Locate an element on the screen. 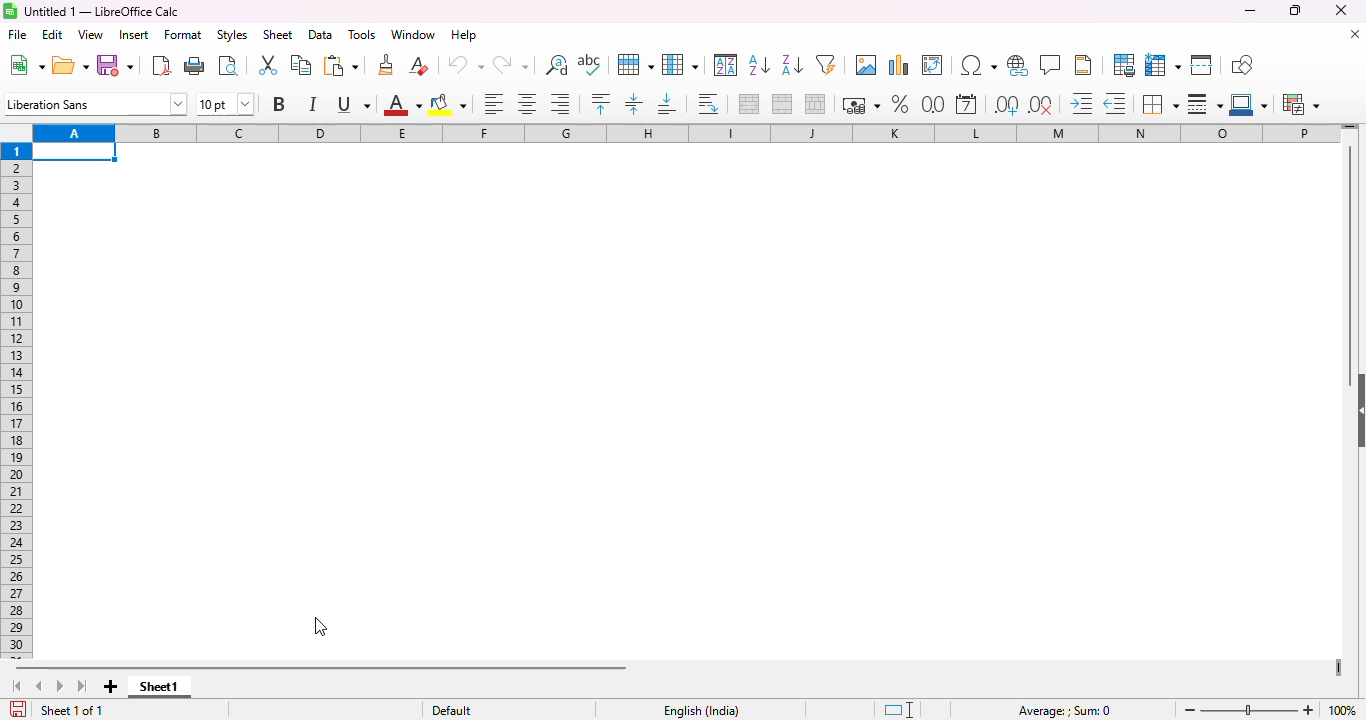 The height and width of the screenshot is (720, 1366). format is located at coordinates (183, 35).